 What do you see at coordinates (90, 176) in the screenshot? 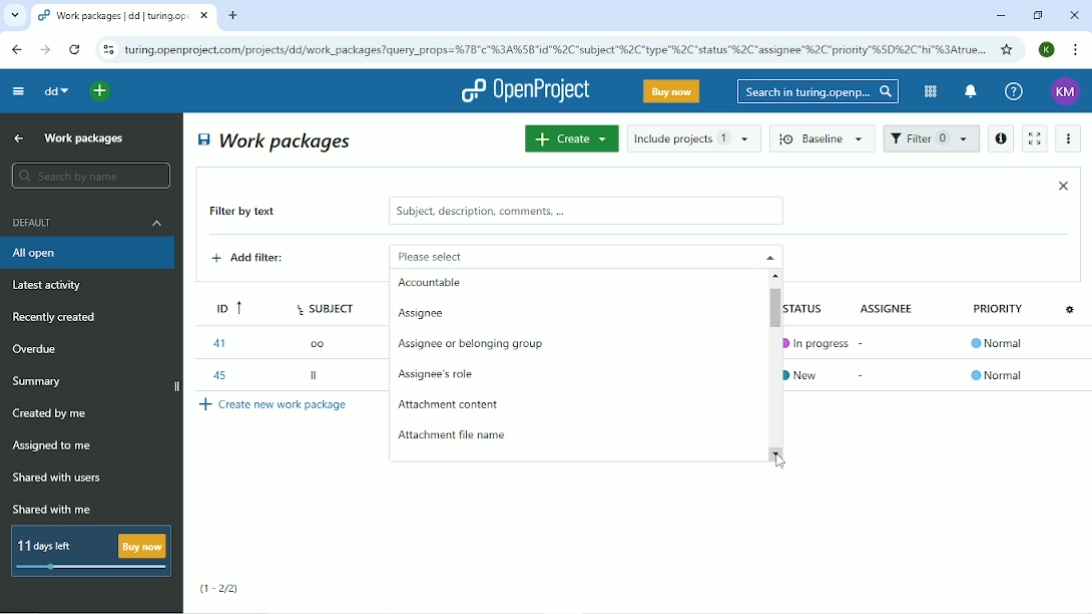
I see `Search by name` at bounding box center [90, 176].